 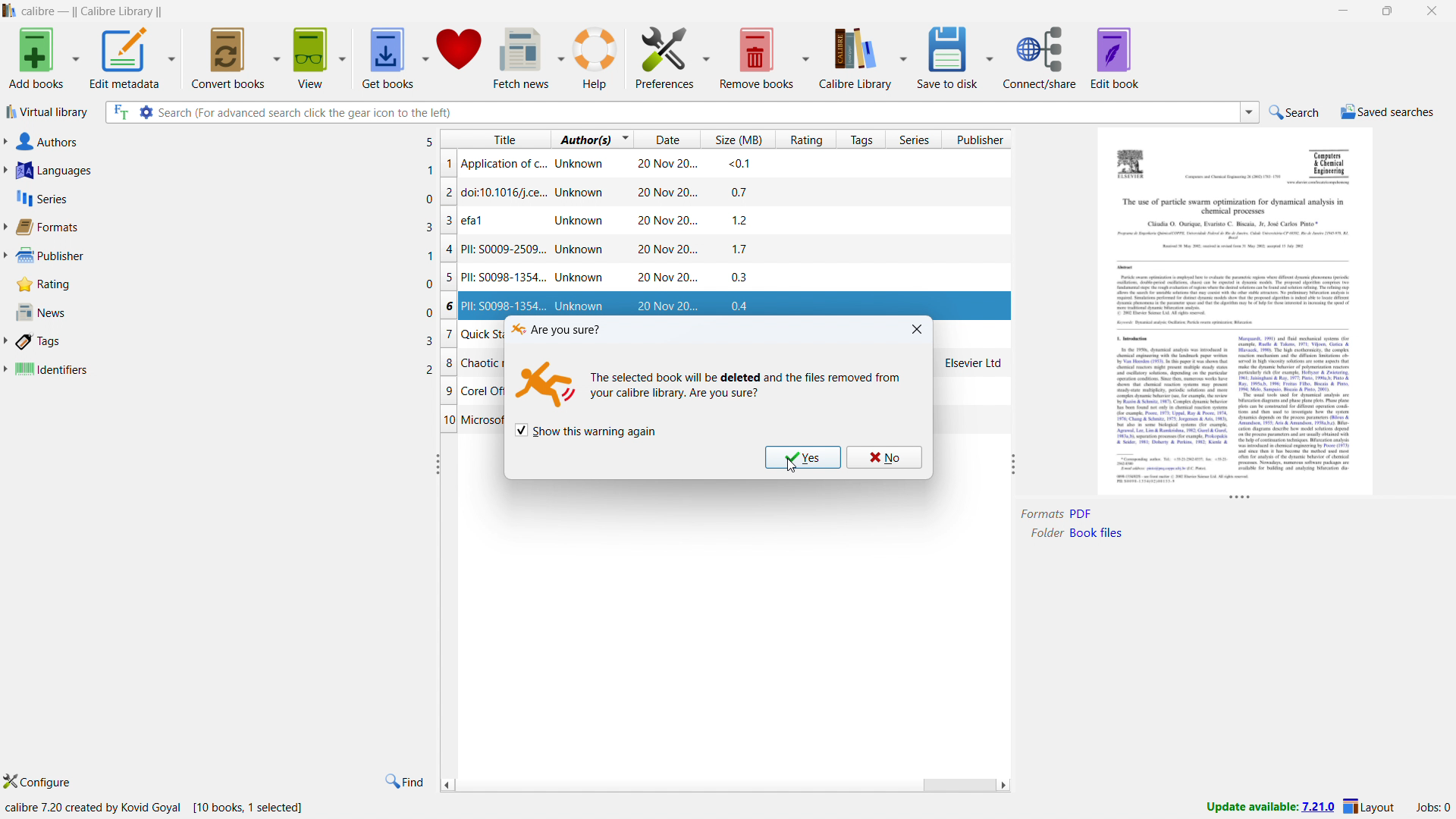 What do you see at coordinates (990, 56) in the screenshot?
I see `save to disk options` at bounding box center [990, 56].